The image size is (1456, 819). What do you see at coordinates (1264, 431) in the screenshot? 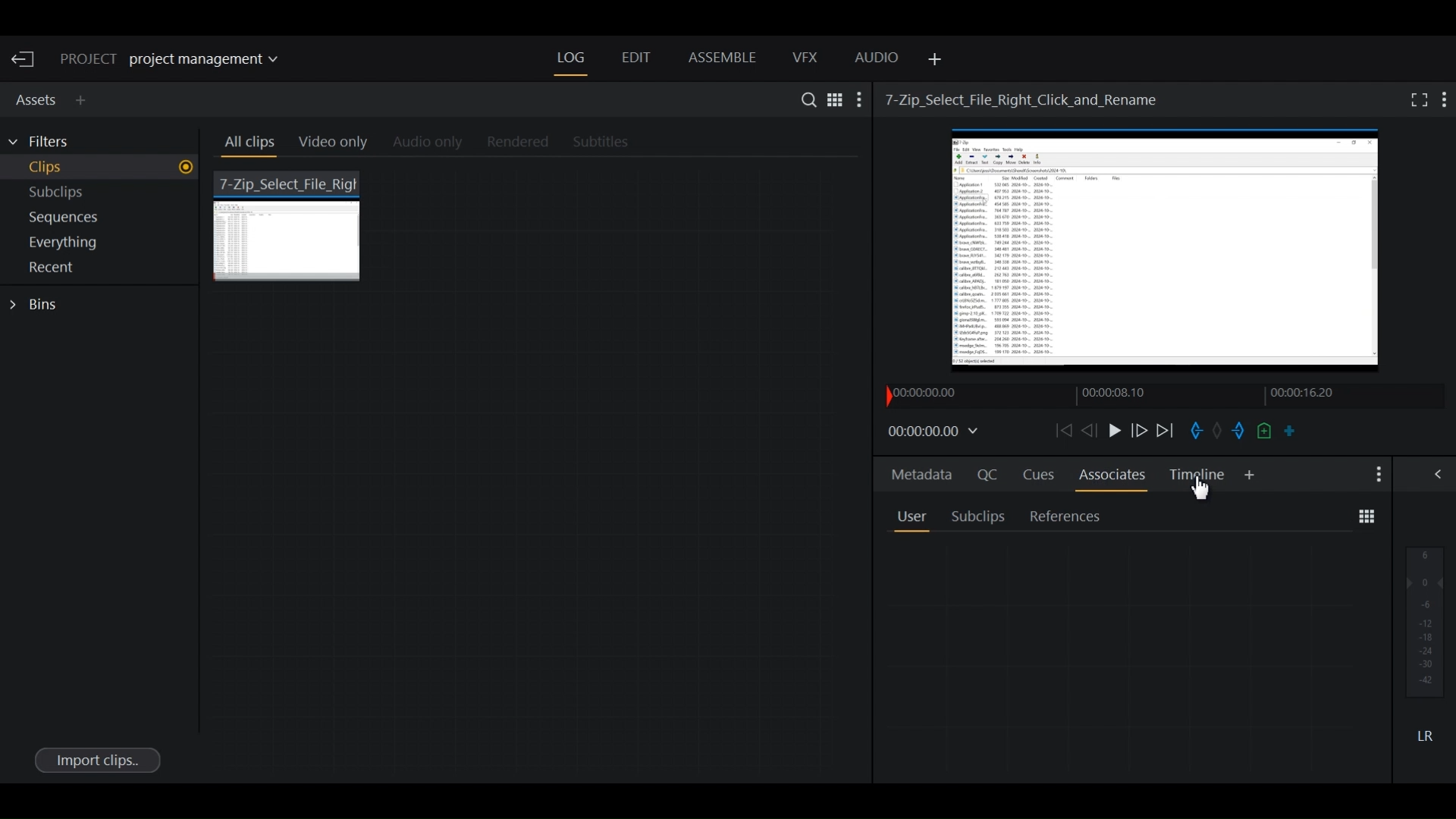
I see `Add a cue` at bounding box center [1264, 431].